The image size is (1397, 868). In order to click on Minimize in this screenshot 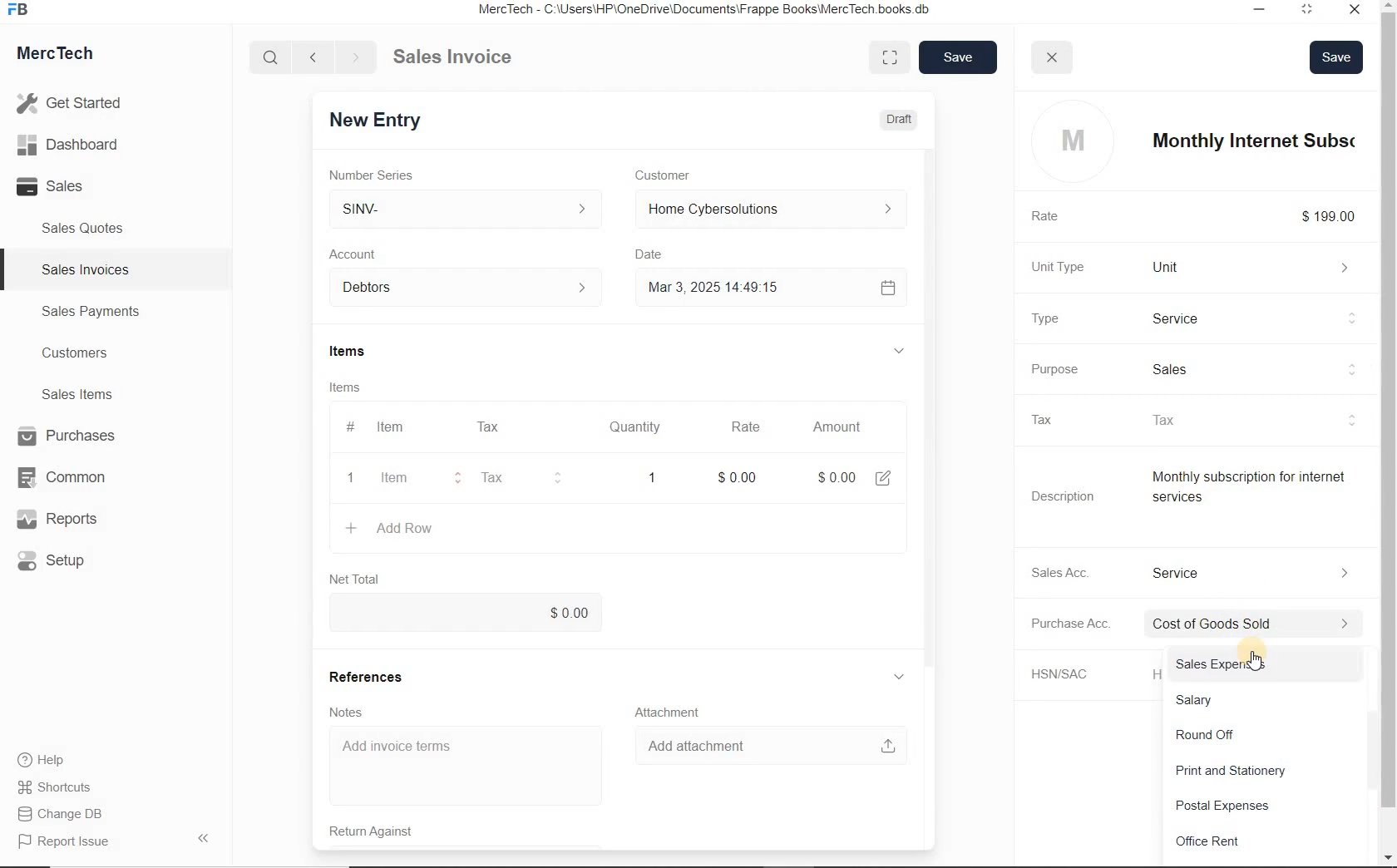, I will do `click(1261, 12)`.